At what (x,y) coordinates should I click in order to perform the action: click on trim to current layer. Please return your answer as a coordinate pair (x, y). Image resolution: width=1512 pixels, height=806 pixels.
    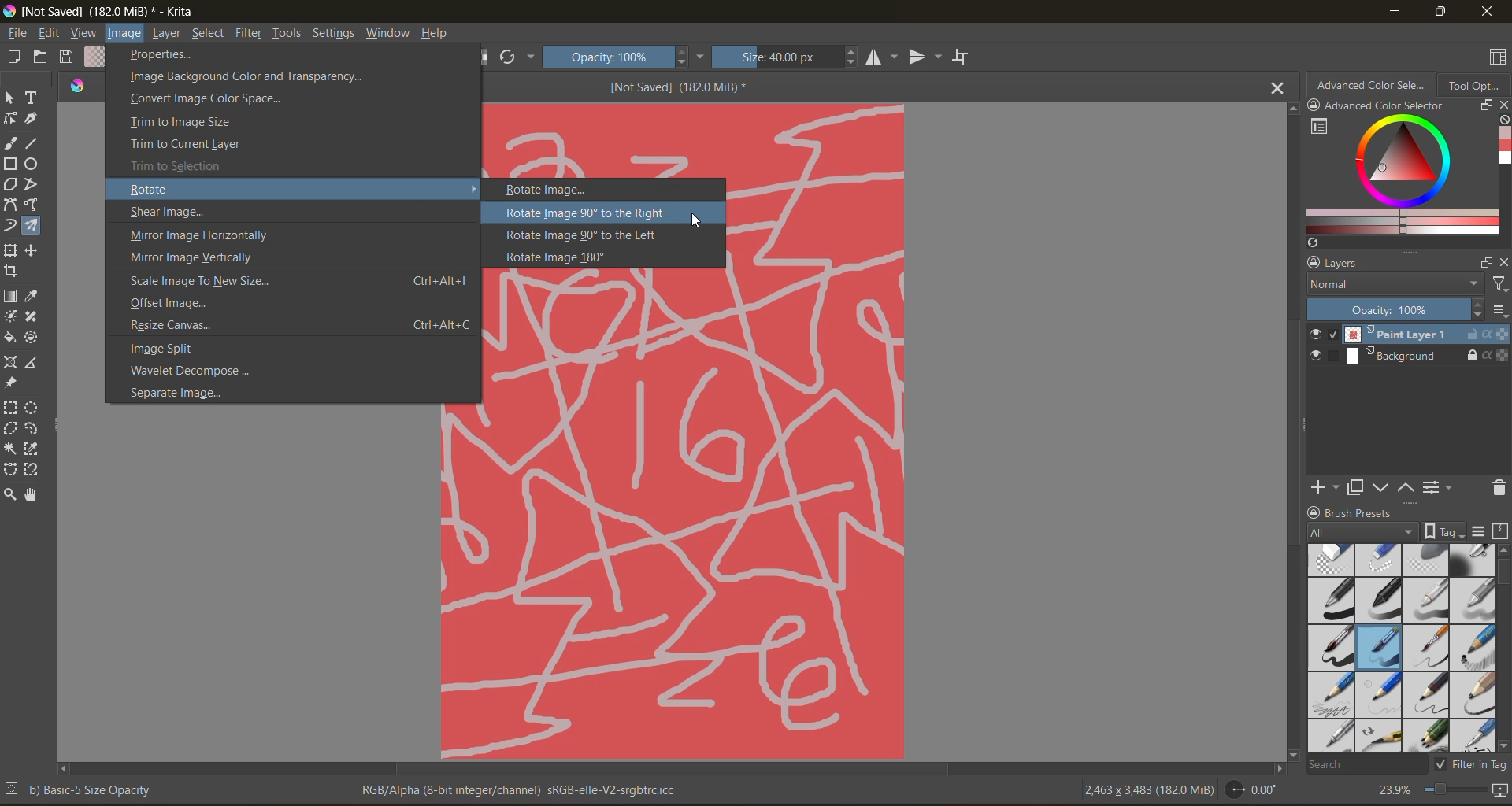
    Looking at the image, I should click on (186, 145).